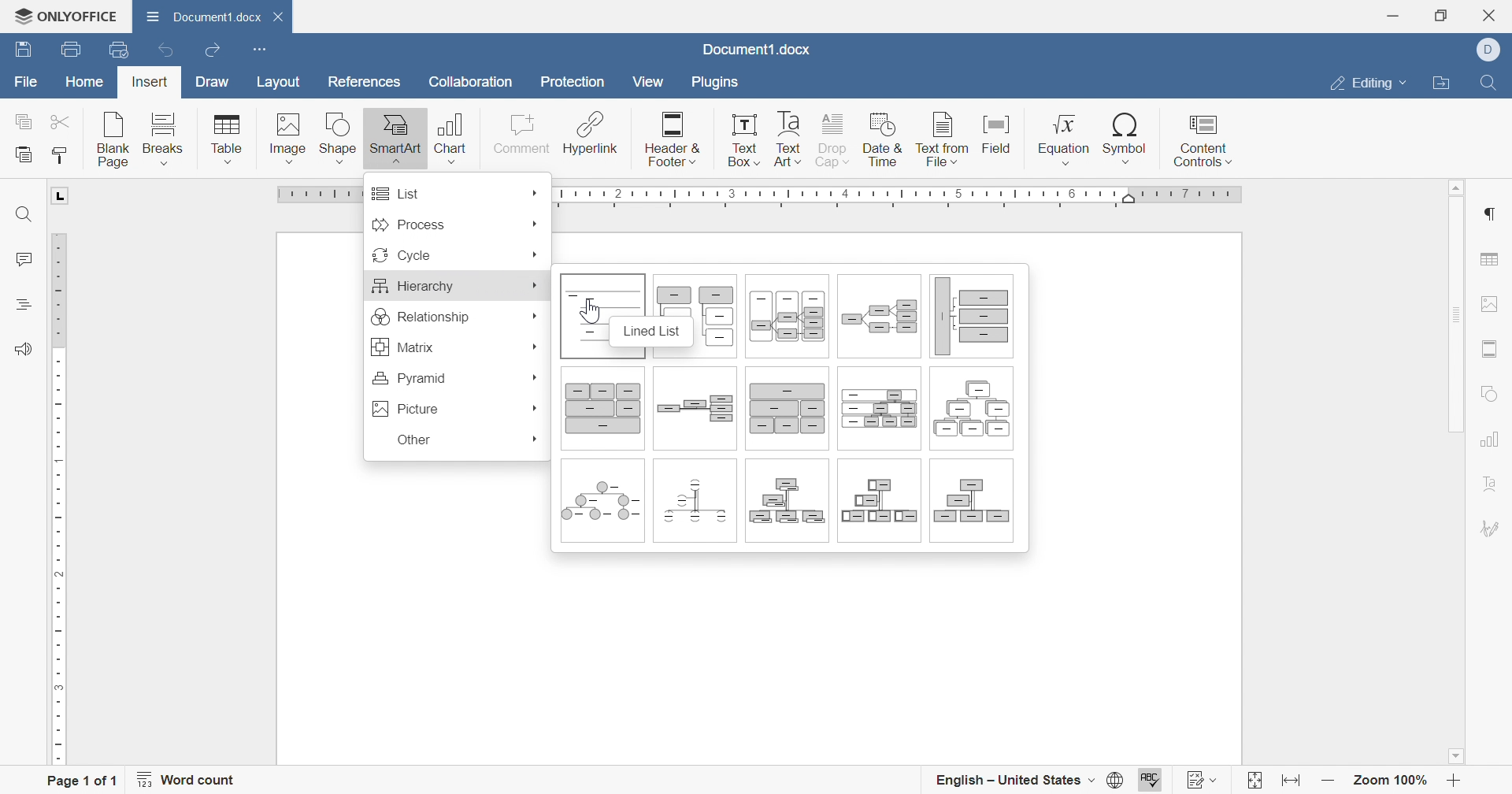 Image resolution: width=1512 pixels, height=794 pixels. I want to click on Feedback & Support, so click(18, 349).